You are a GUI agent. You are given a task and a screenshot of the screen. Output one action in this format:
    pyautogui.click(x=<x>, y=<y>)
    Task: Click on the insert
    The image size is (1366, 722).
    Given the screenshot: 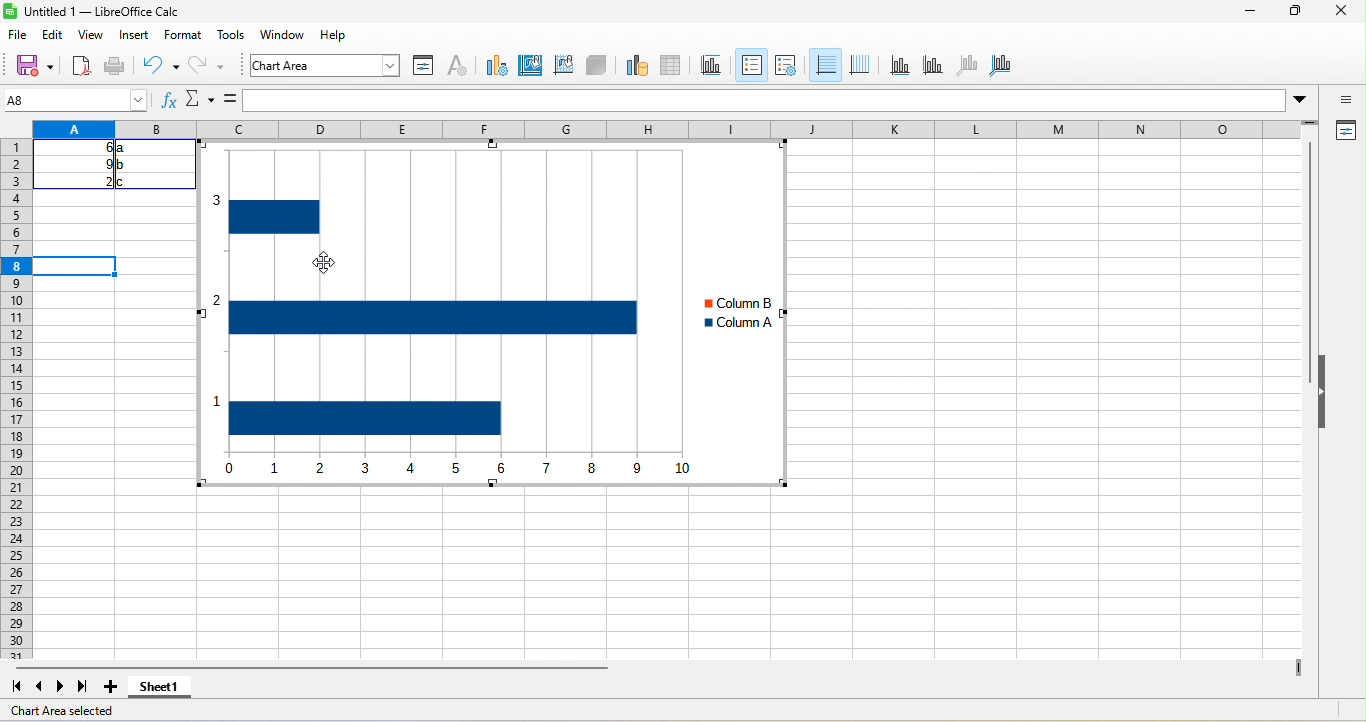 What is the action you would take?
    pyautogui.click(x=140, y=36)
    